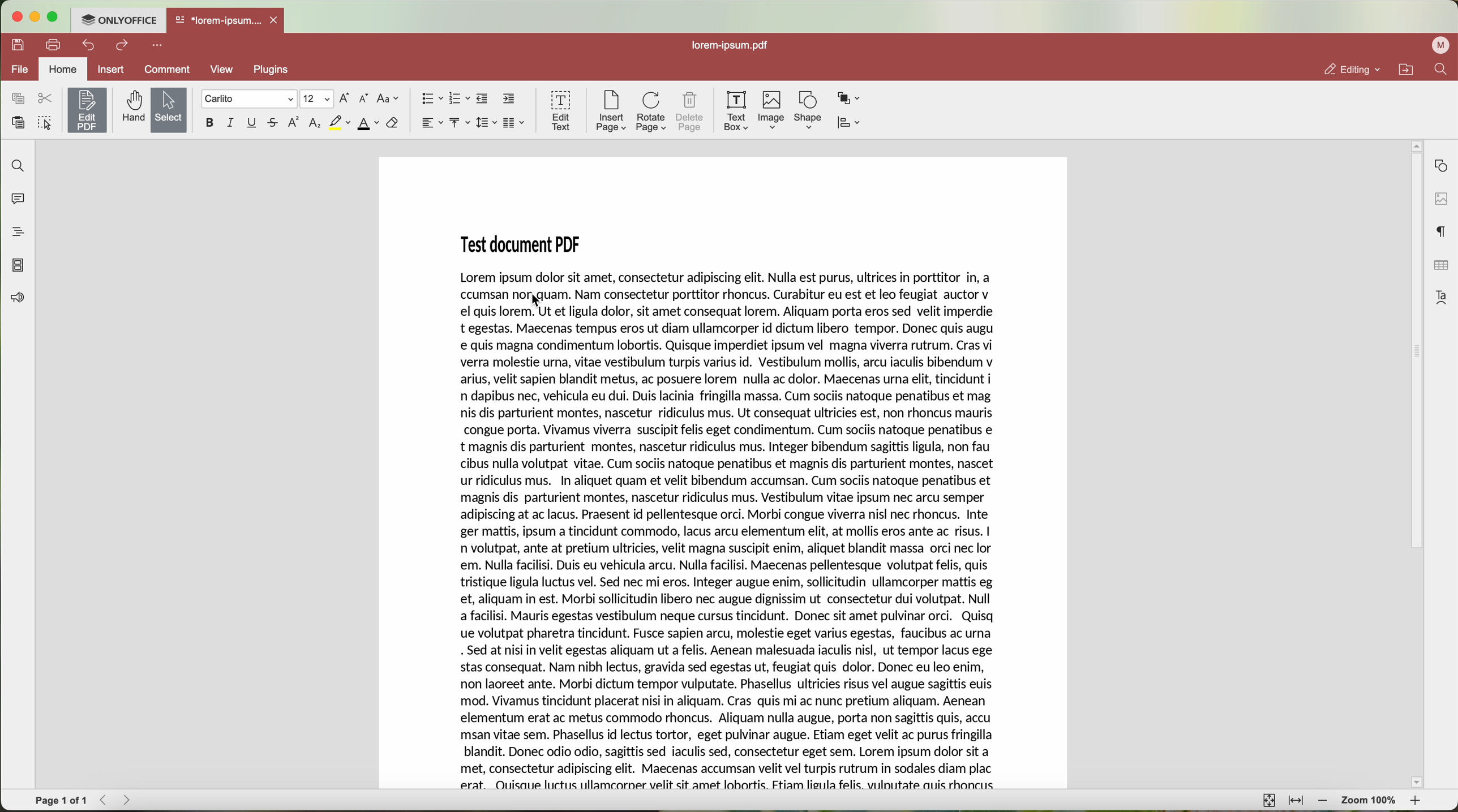 The image size is (1458, 812). What do you see at coordinates (1442, 71) in the screenshot?
I see `find` at bounding box center [1442, 71].